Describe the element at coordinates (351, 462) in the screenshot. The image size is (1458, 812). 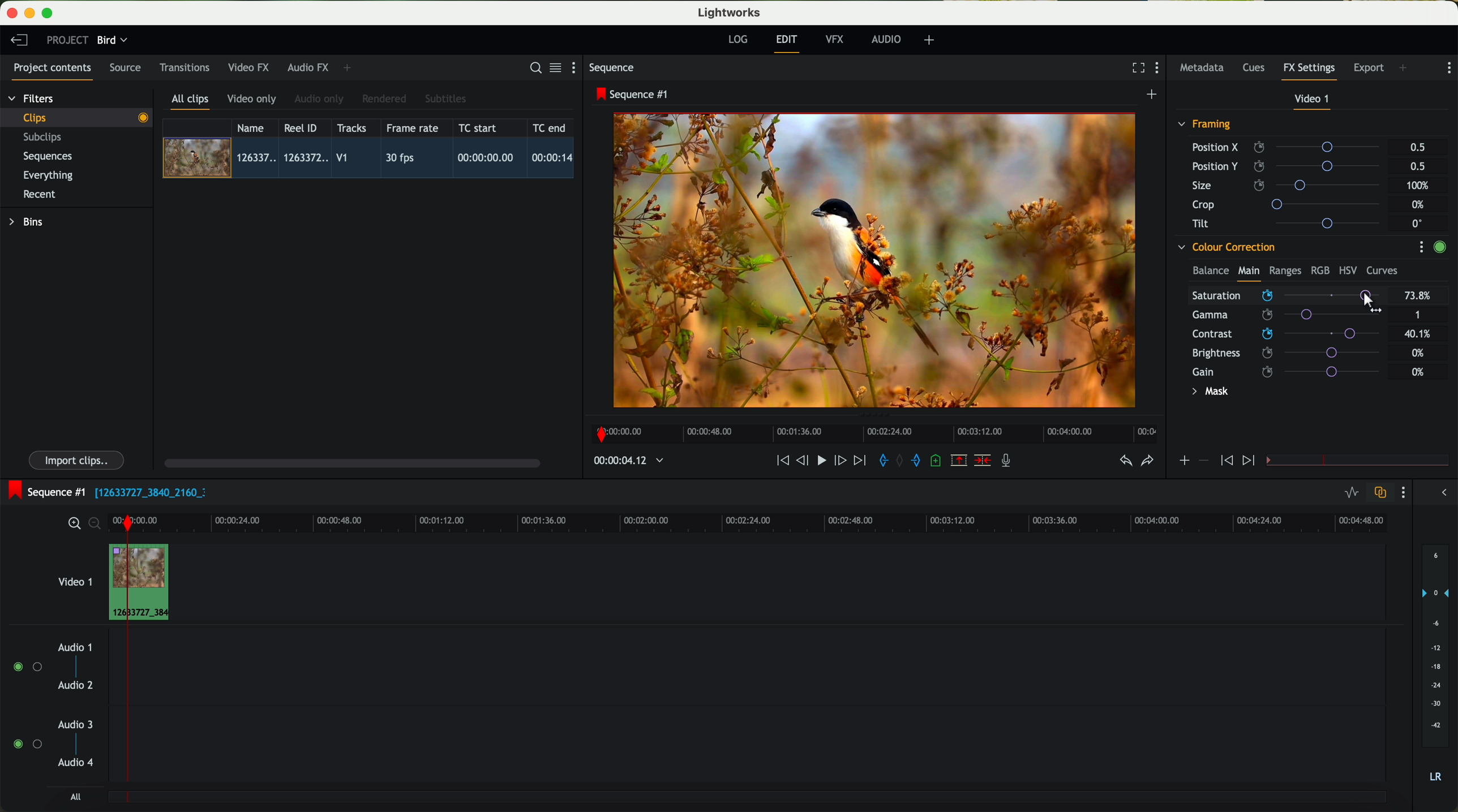
I see `scroll bar` at that location.